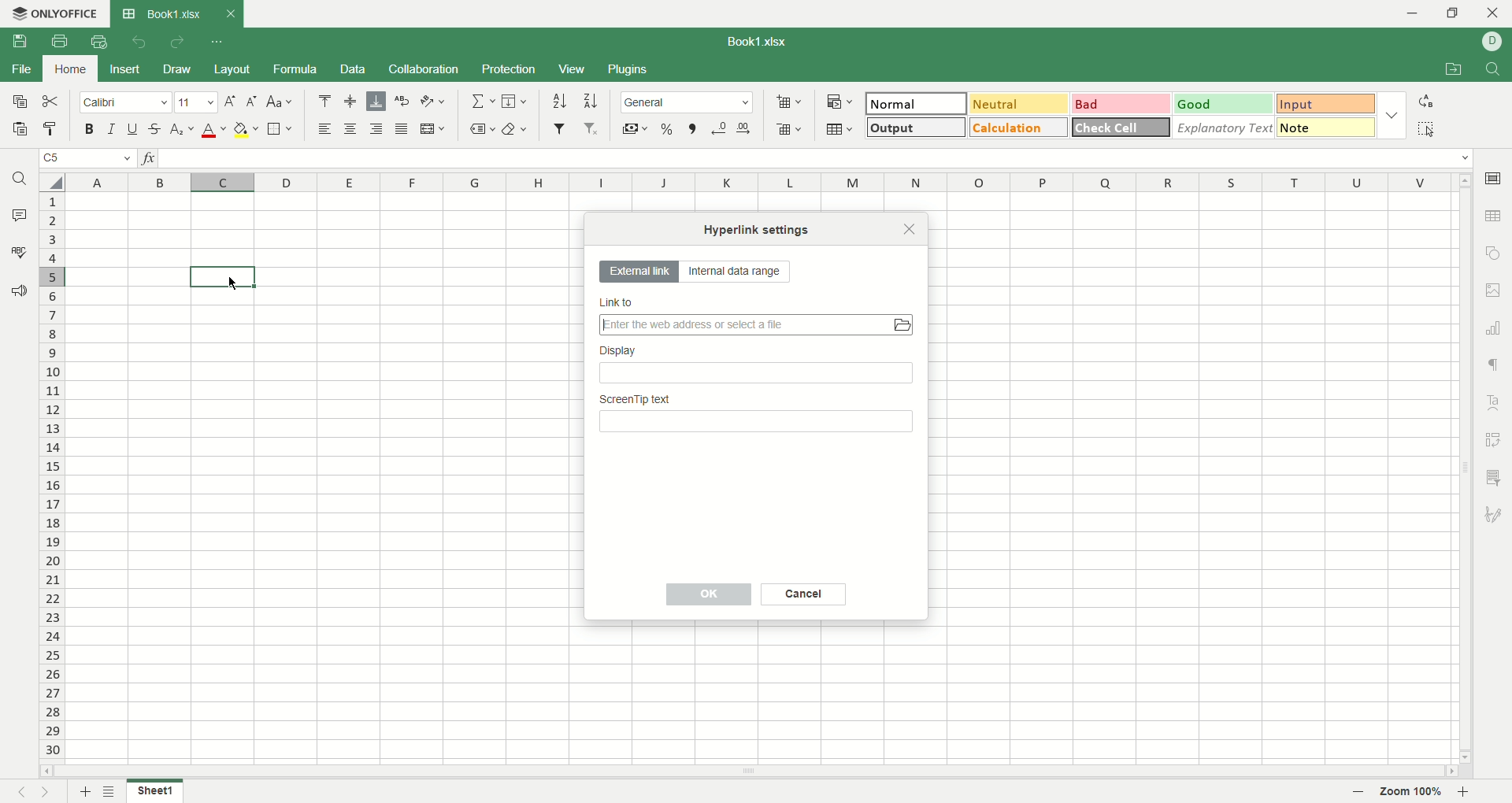 The height and width of the screenshot is (803, 1512). What do you see at coordinates (711, 594) in the screenshot?
I see `ok` at bounding box center [711, 594].